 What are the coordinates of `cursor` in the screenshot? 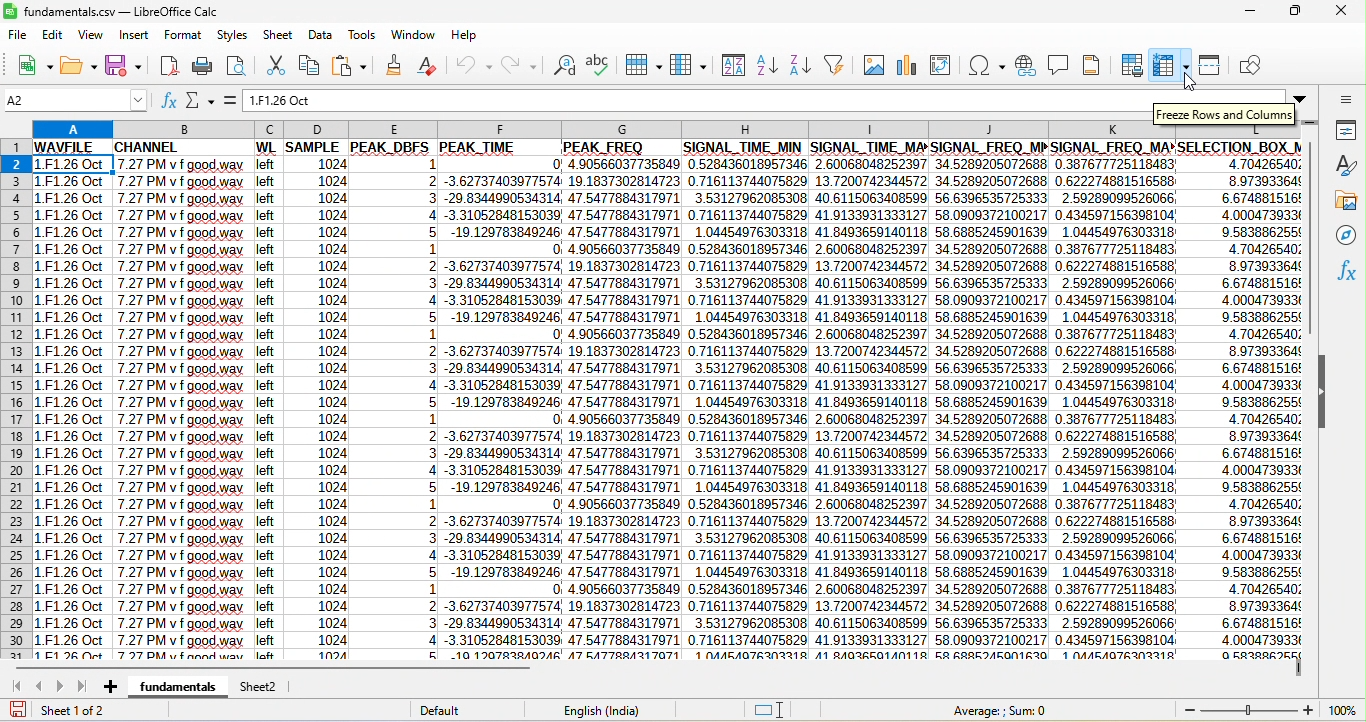 It's located at (783, 709).